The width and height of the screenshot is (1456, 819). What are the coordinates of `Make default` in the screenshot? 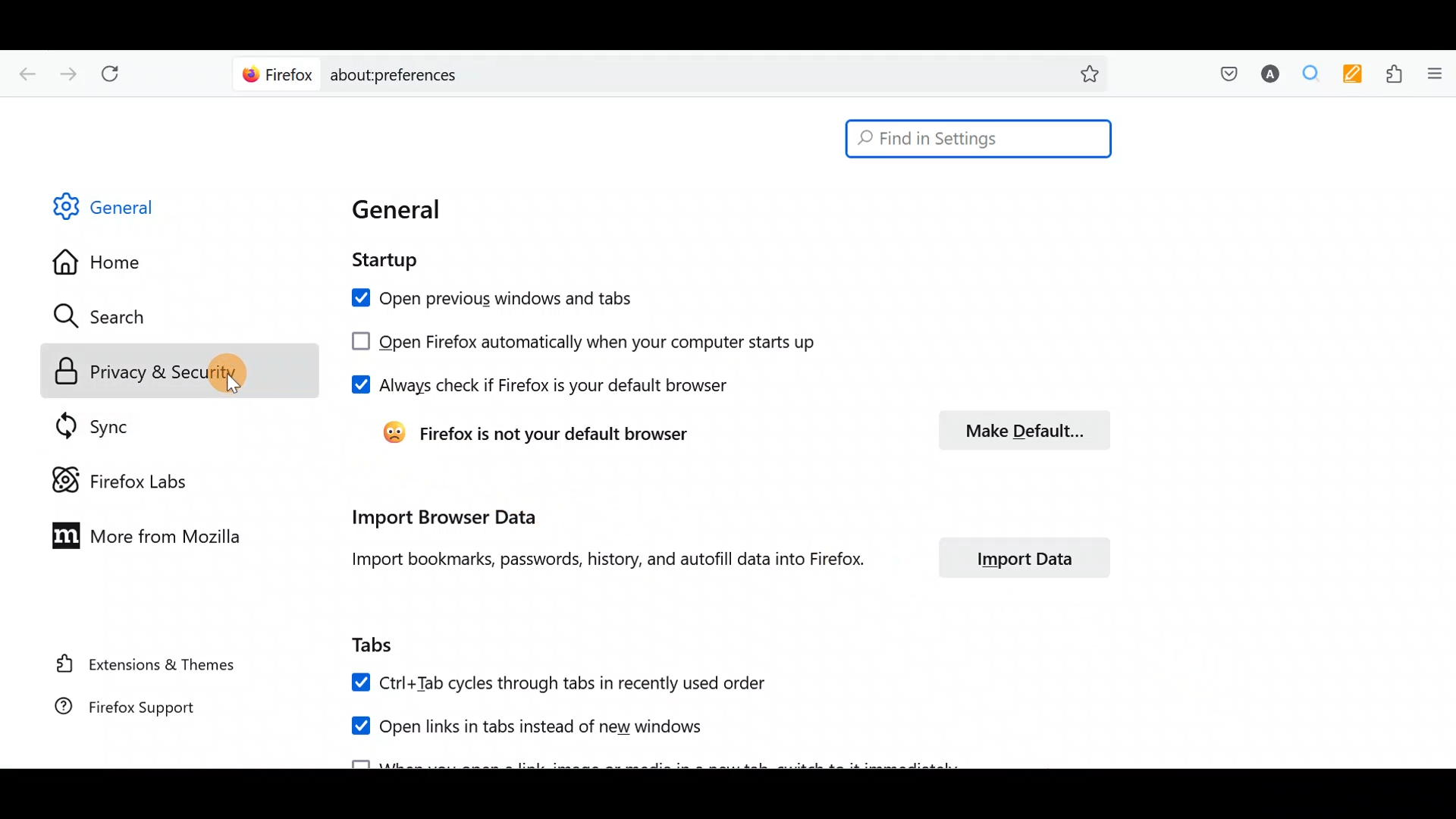 It's located at (1023, 435).